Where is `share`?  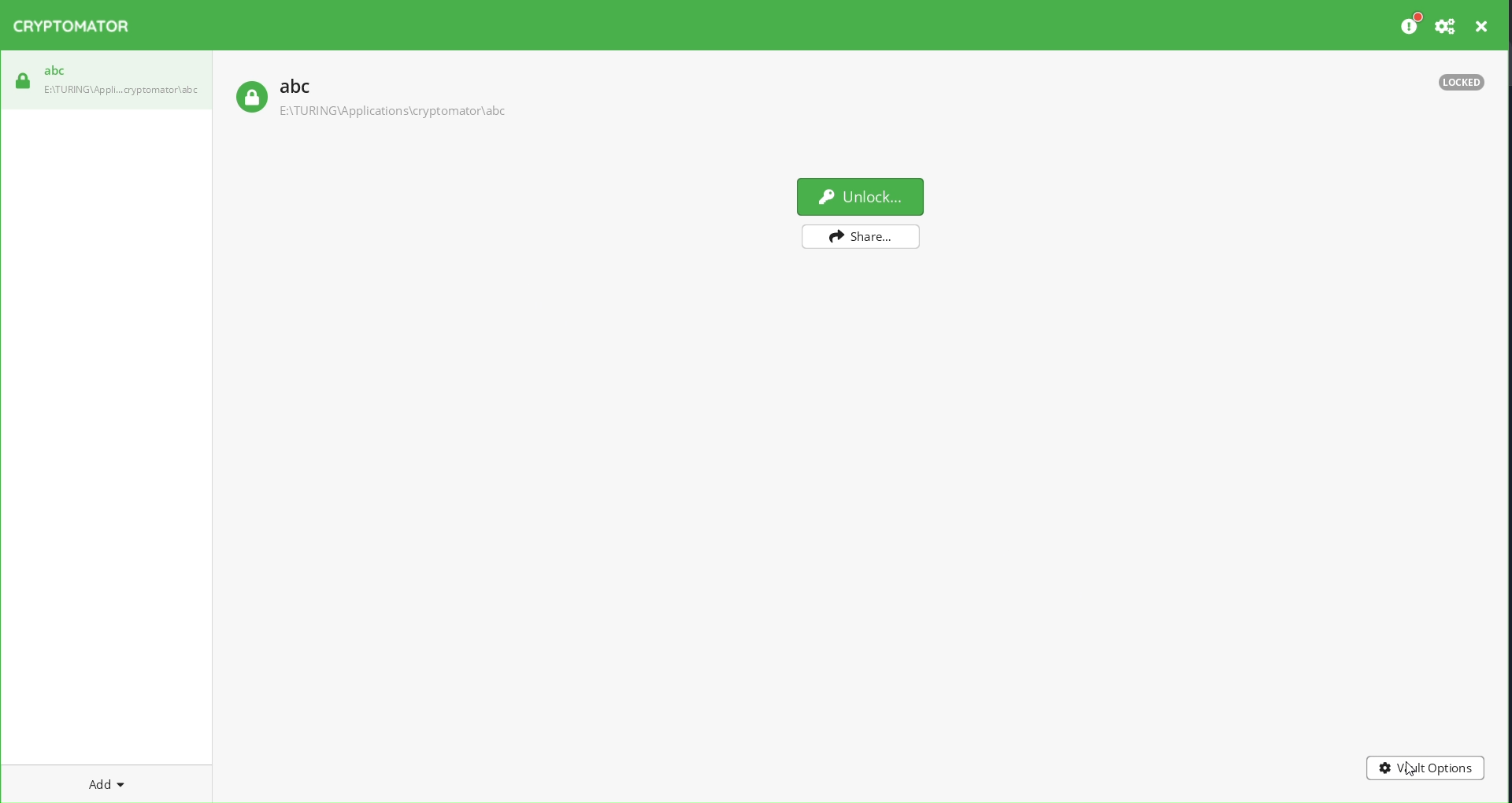
share is located at coordinates (865, 239).